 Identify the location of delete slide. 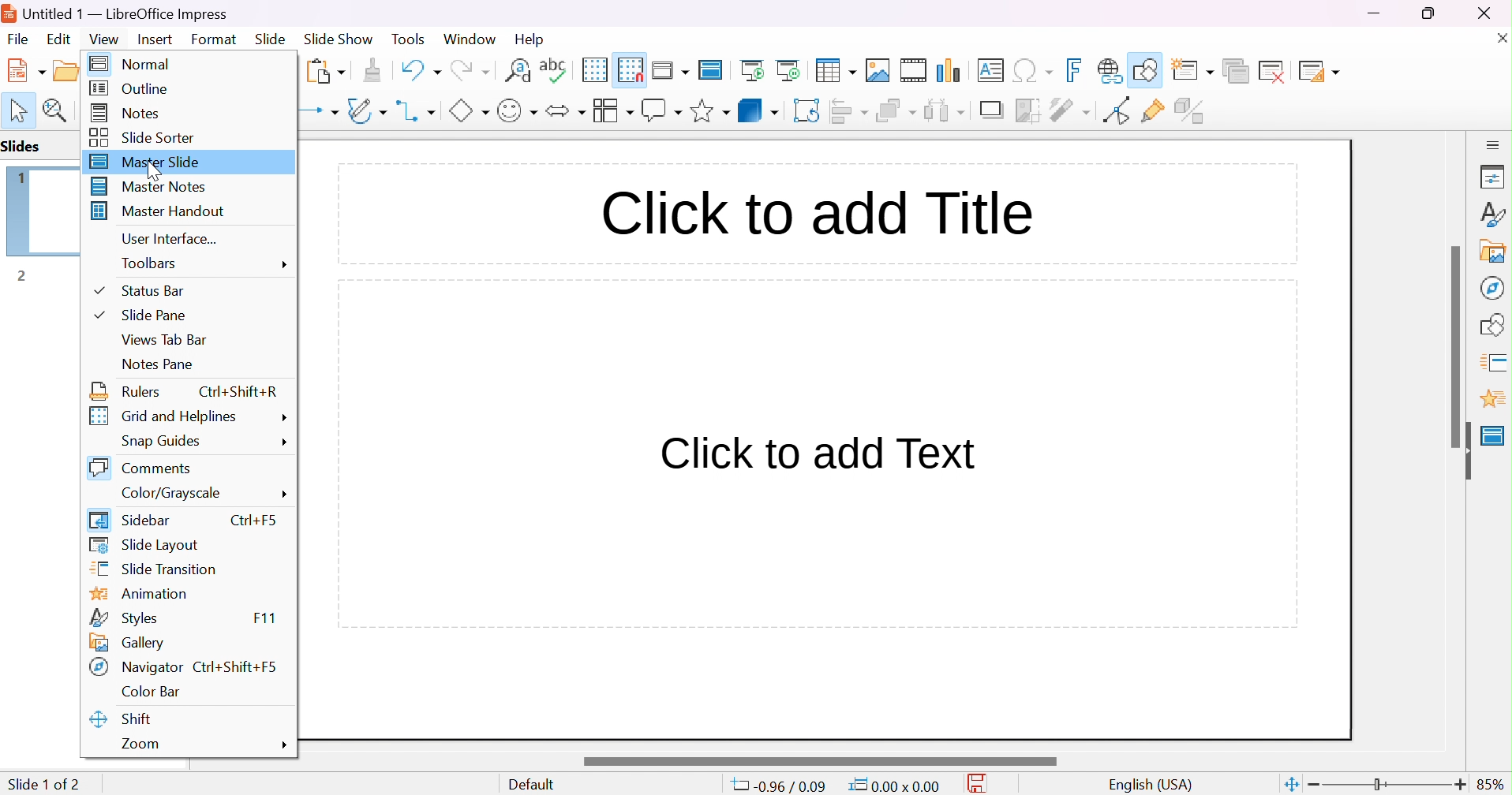
(1275, 71).